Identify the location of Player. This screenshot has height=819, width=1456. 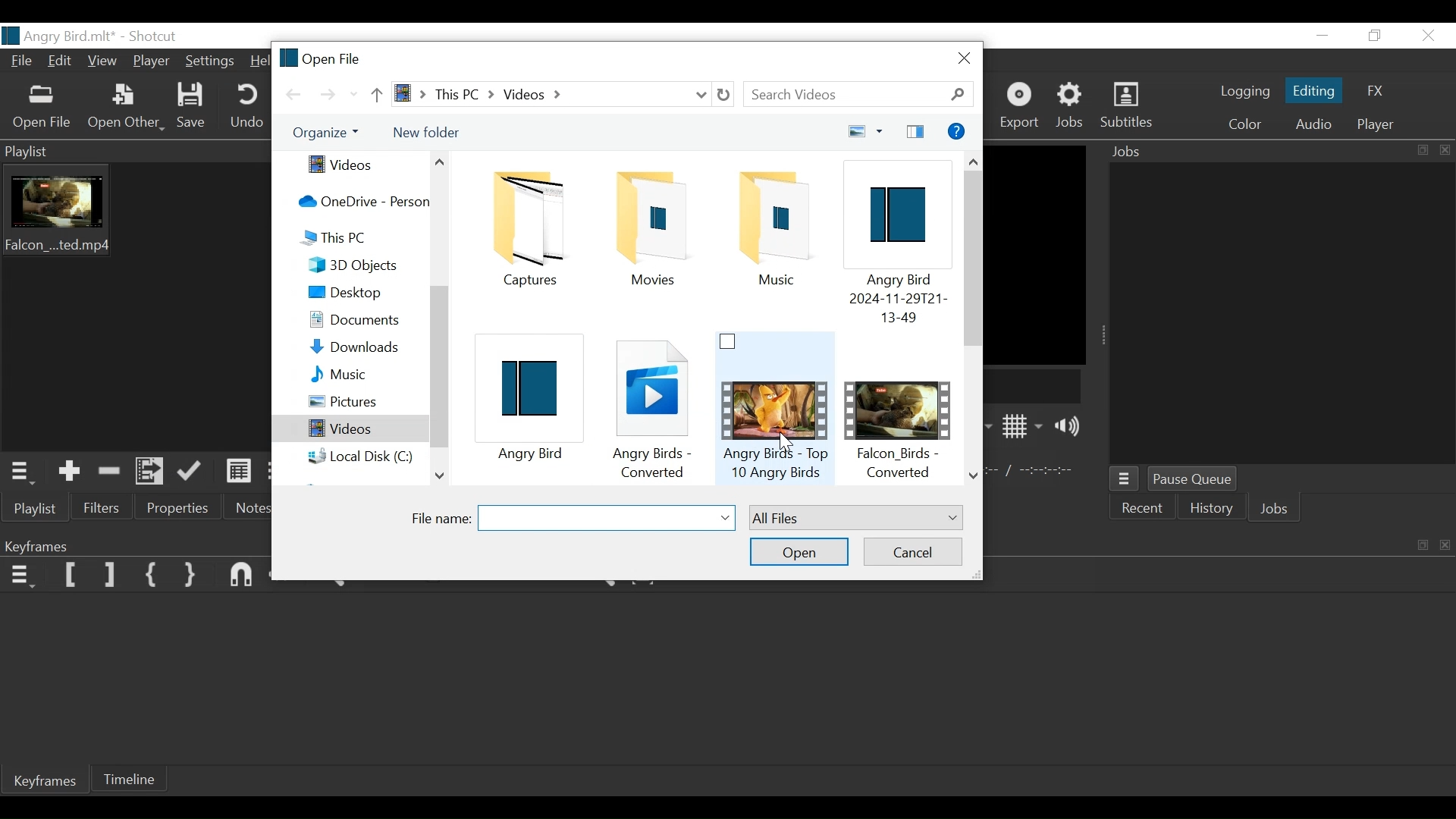
(1378, 124).